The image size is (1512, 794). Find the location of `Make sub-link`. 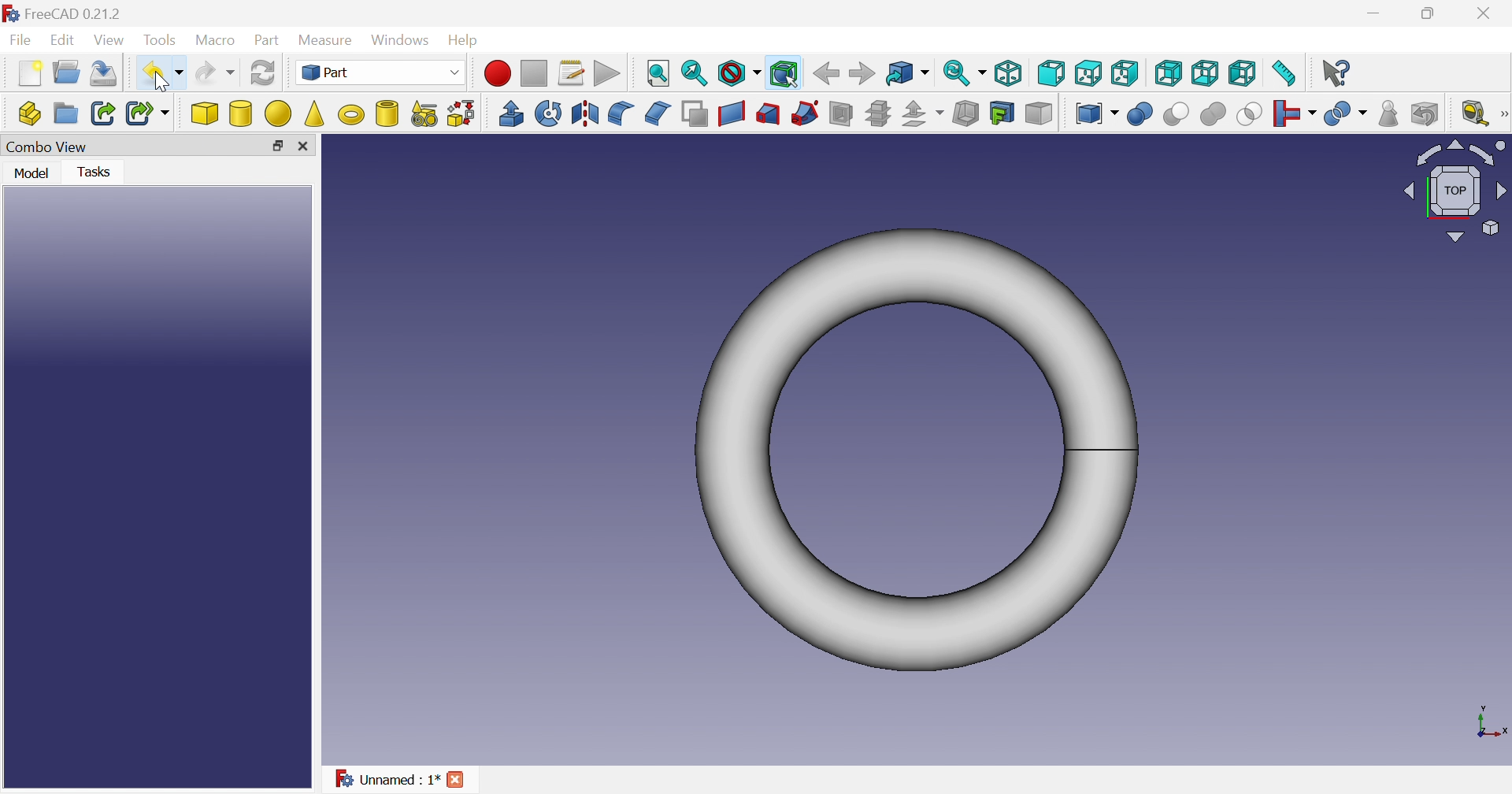

Make sub-link is located at coordinates (150, 113).